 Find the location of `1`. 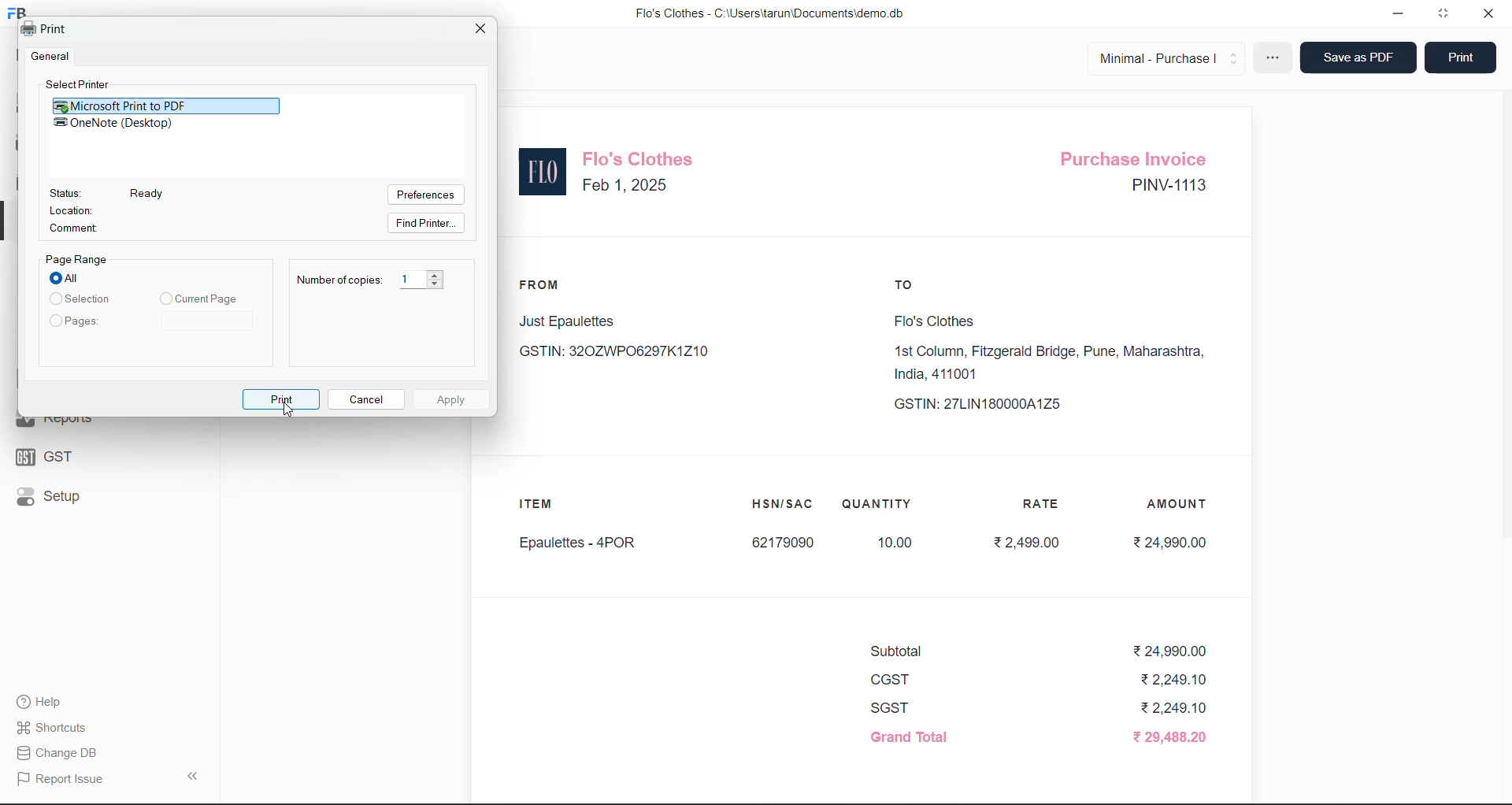

1 is located at coordinates (417, 280).